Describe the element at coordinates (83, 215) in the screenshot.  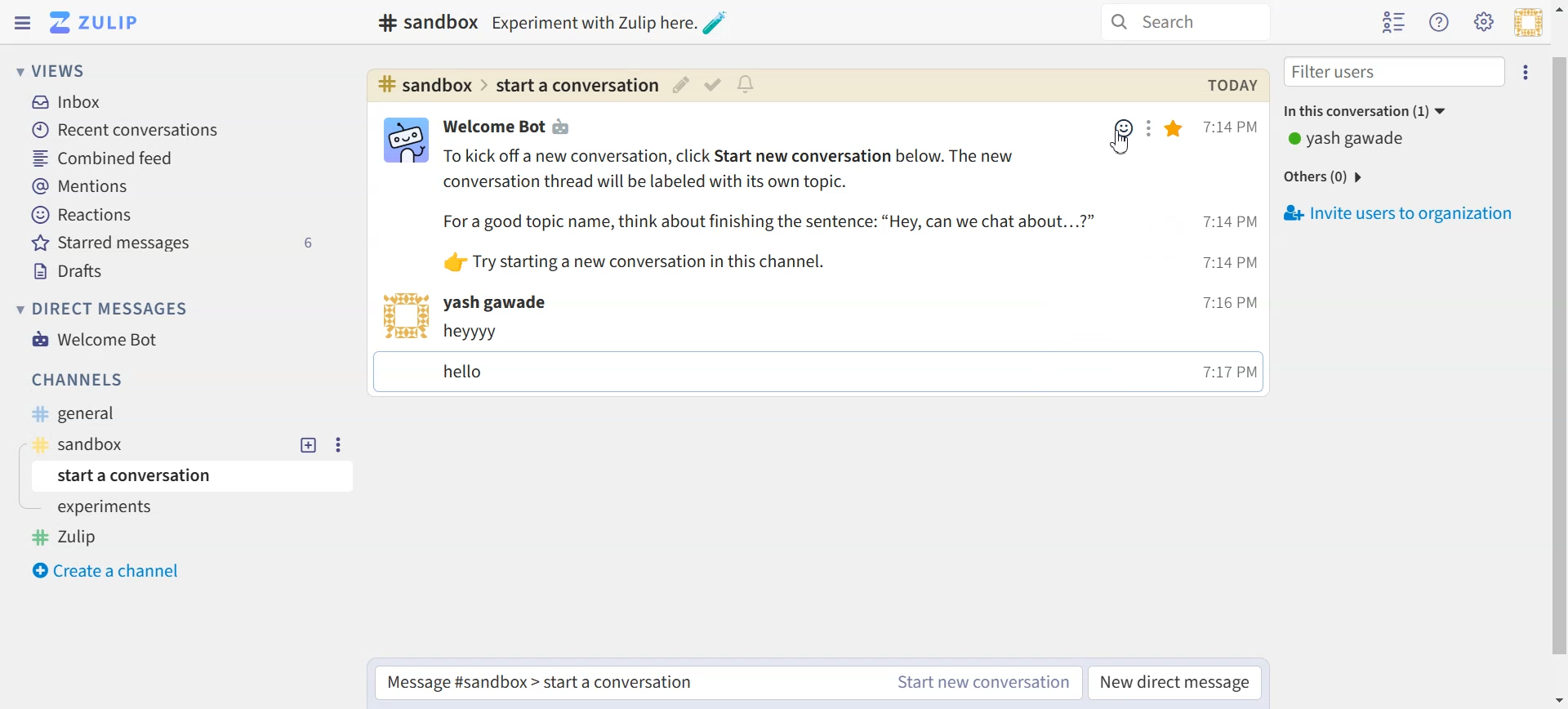
I see `Reactions` at that location.